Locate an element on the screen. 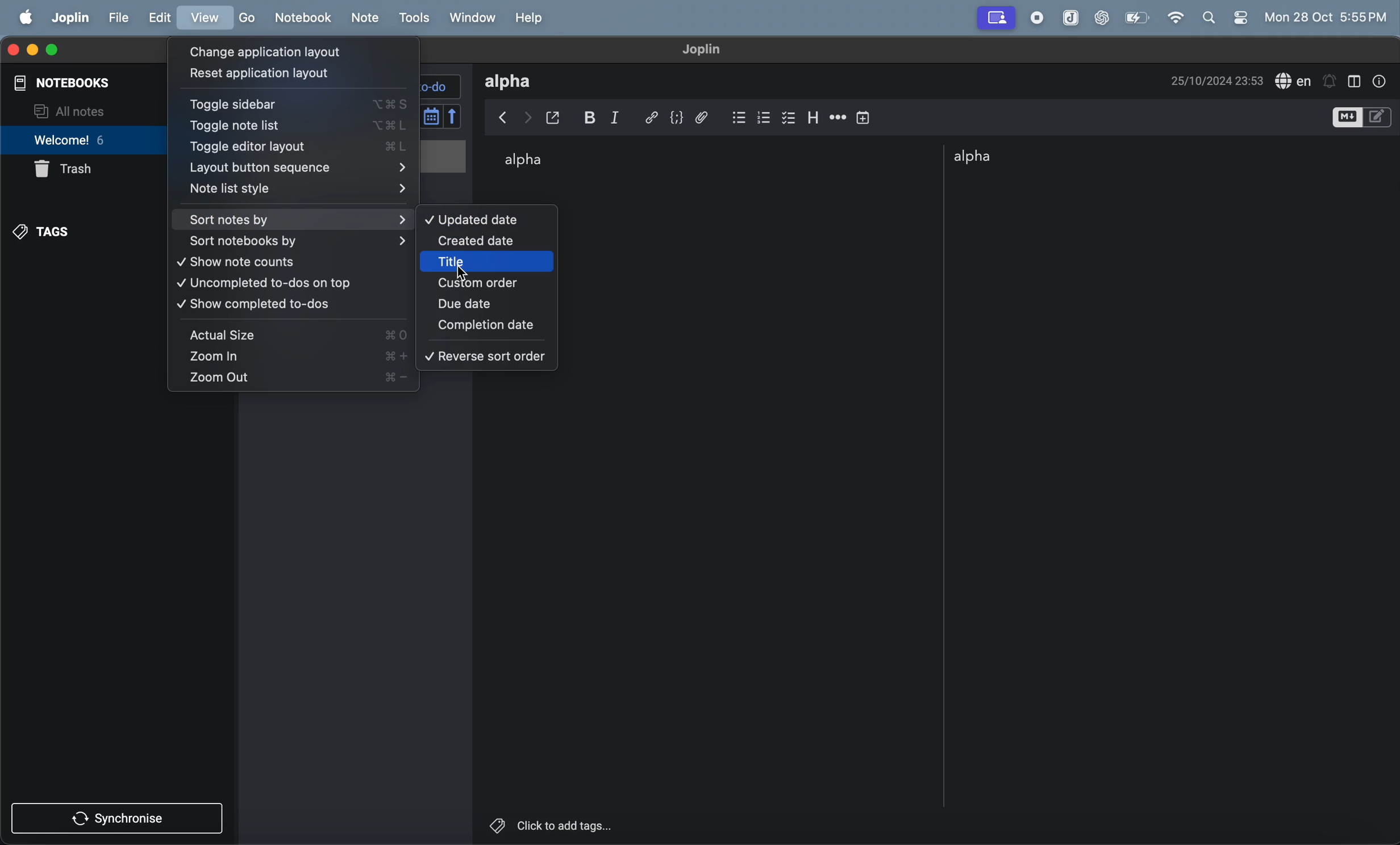 This screenshot has width=1400, height=845. note is located at coordinates (365, 19).